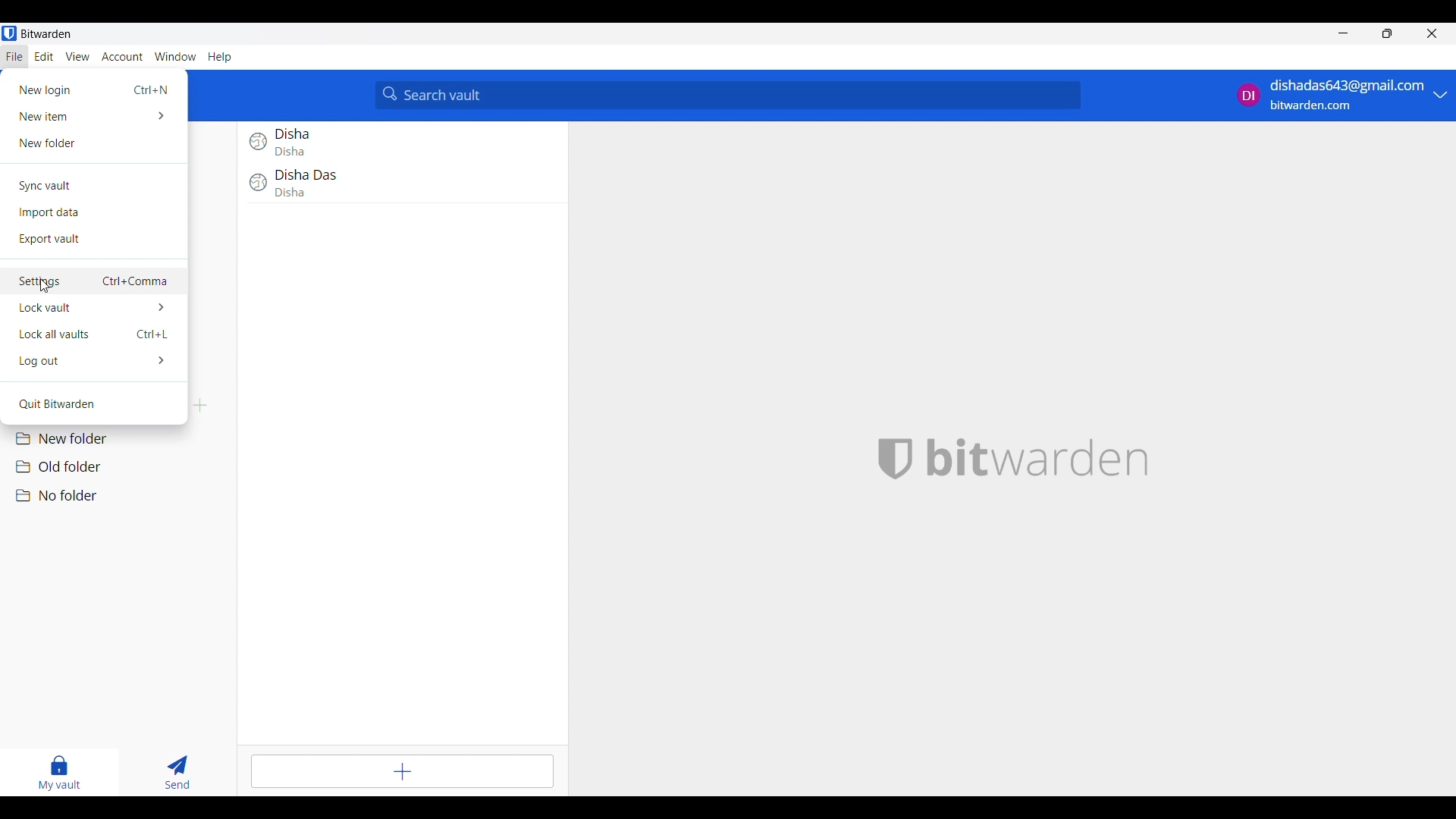  I want to click on Search vault, so click(729, 95).